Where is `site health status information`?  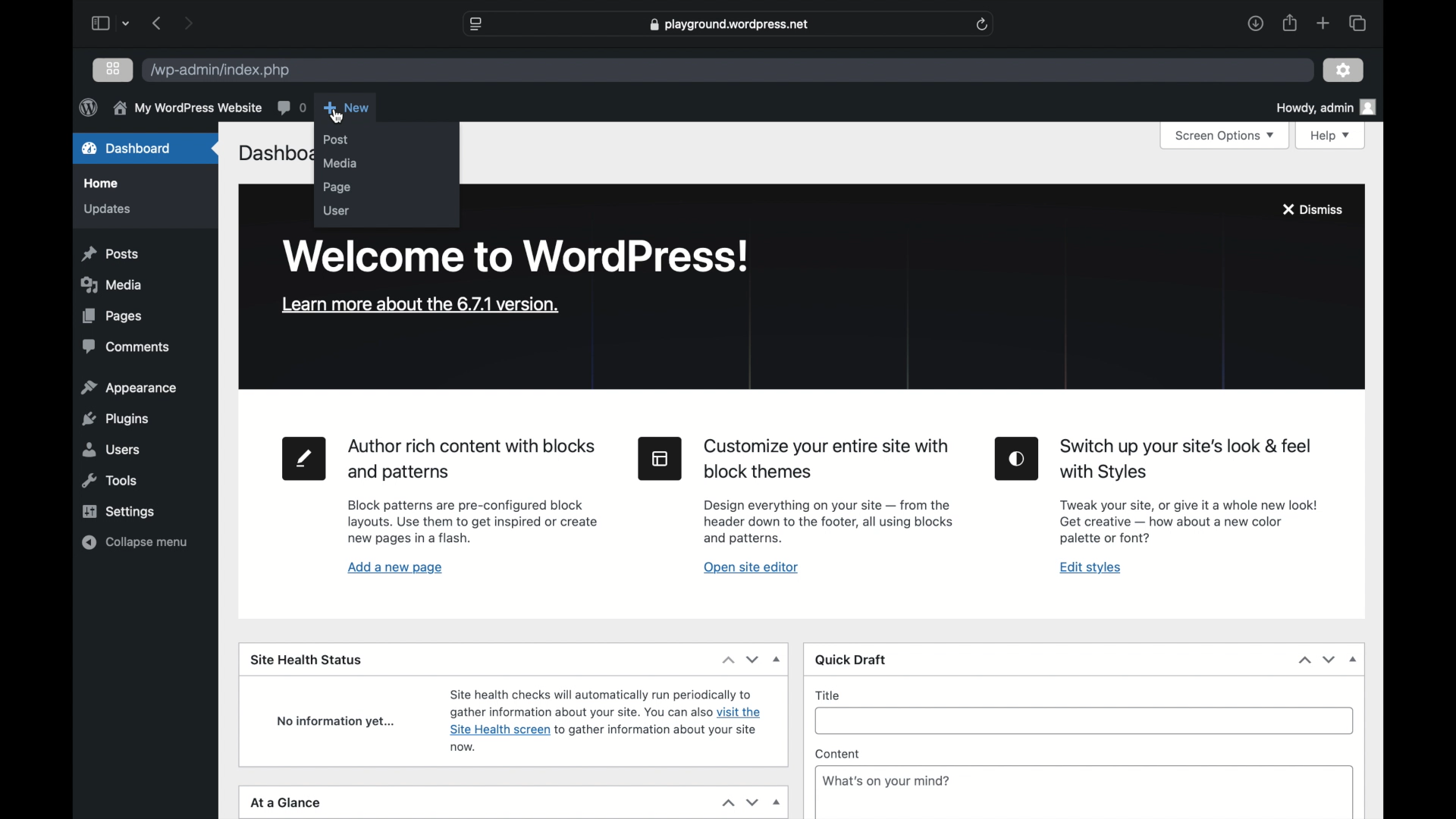 site health status information is located at coordinates (606, 720).